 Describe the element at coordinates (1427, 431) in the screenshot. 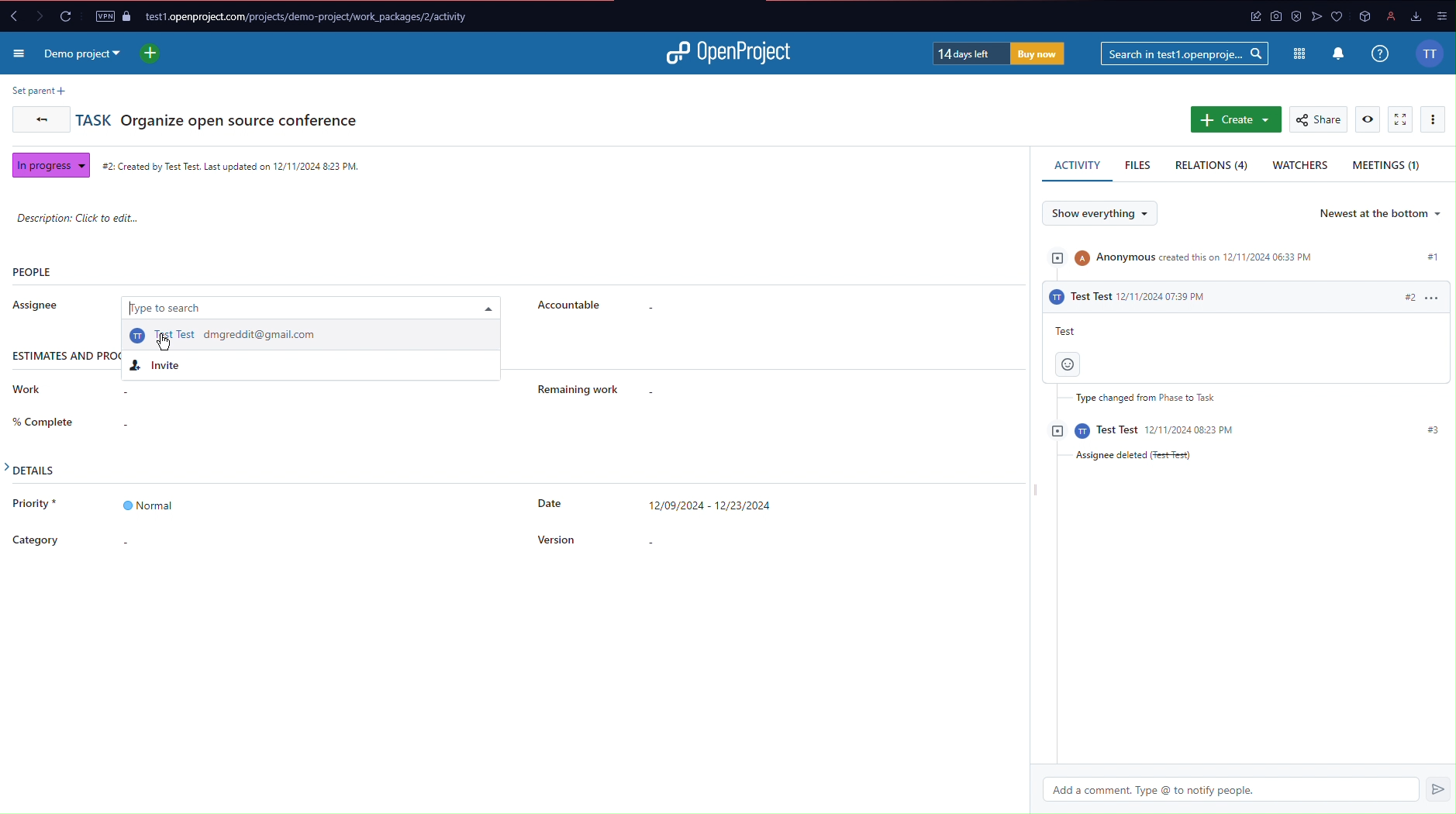

I see `#3` at that location.